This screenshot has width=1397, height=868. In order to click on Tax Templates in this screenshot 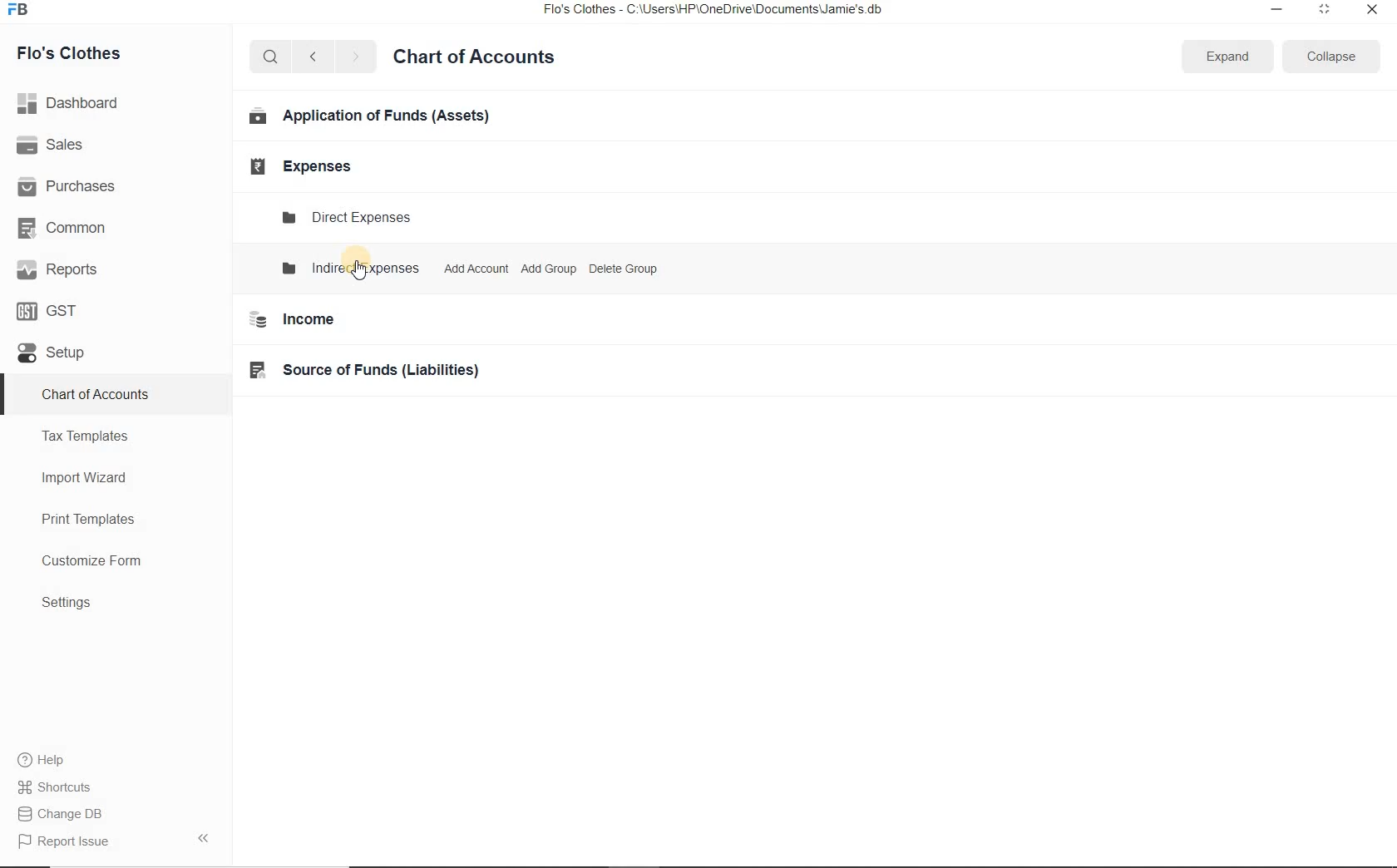, I will do `click(86, 436)`.